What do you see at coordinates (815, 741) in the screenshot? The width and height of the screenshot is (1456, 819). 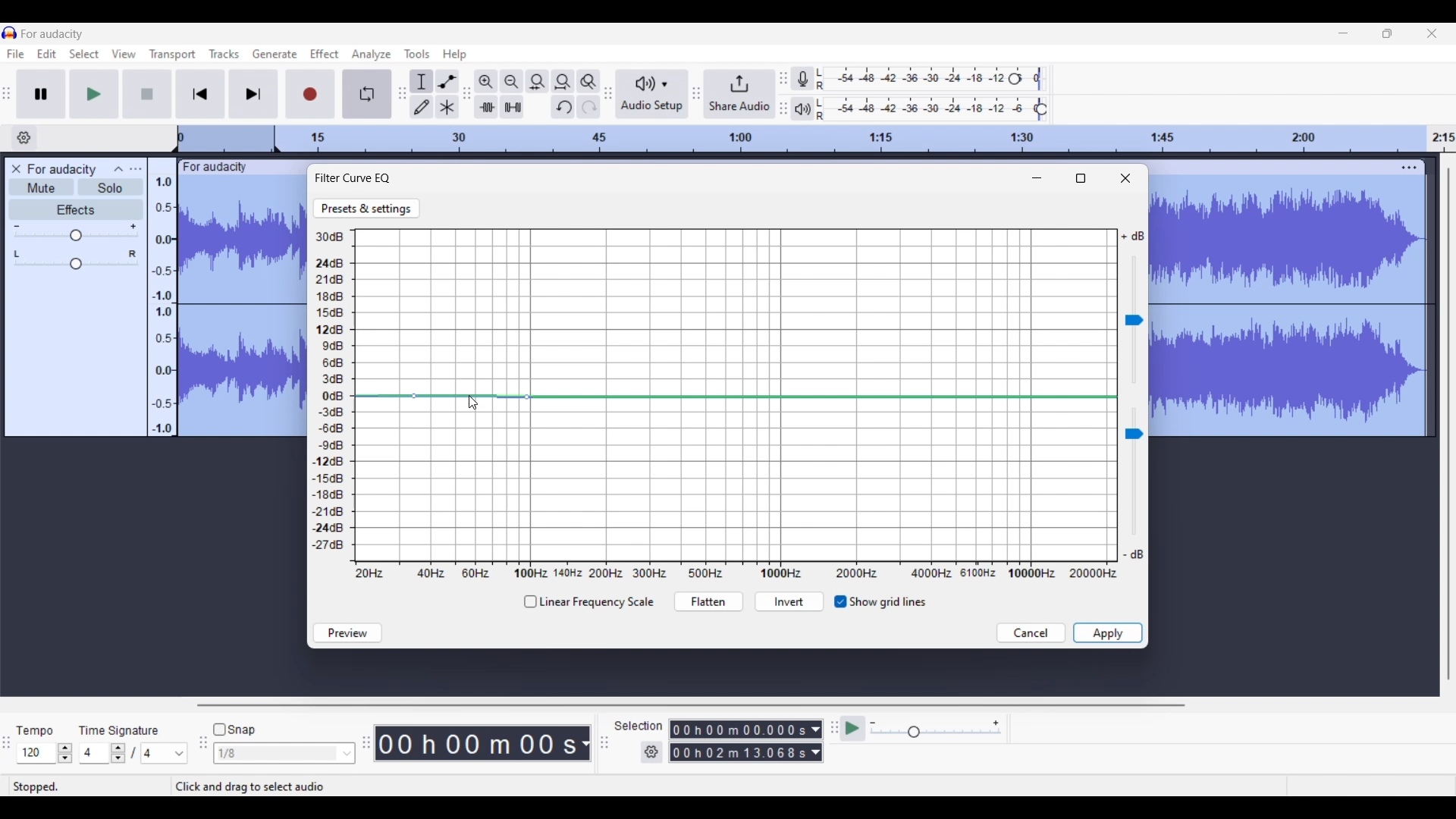 I see `Selection duration measurement` at bounding box center [815, 741].